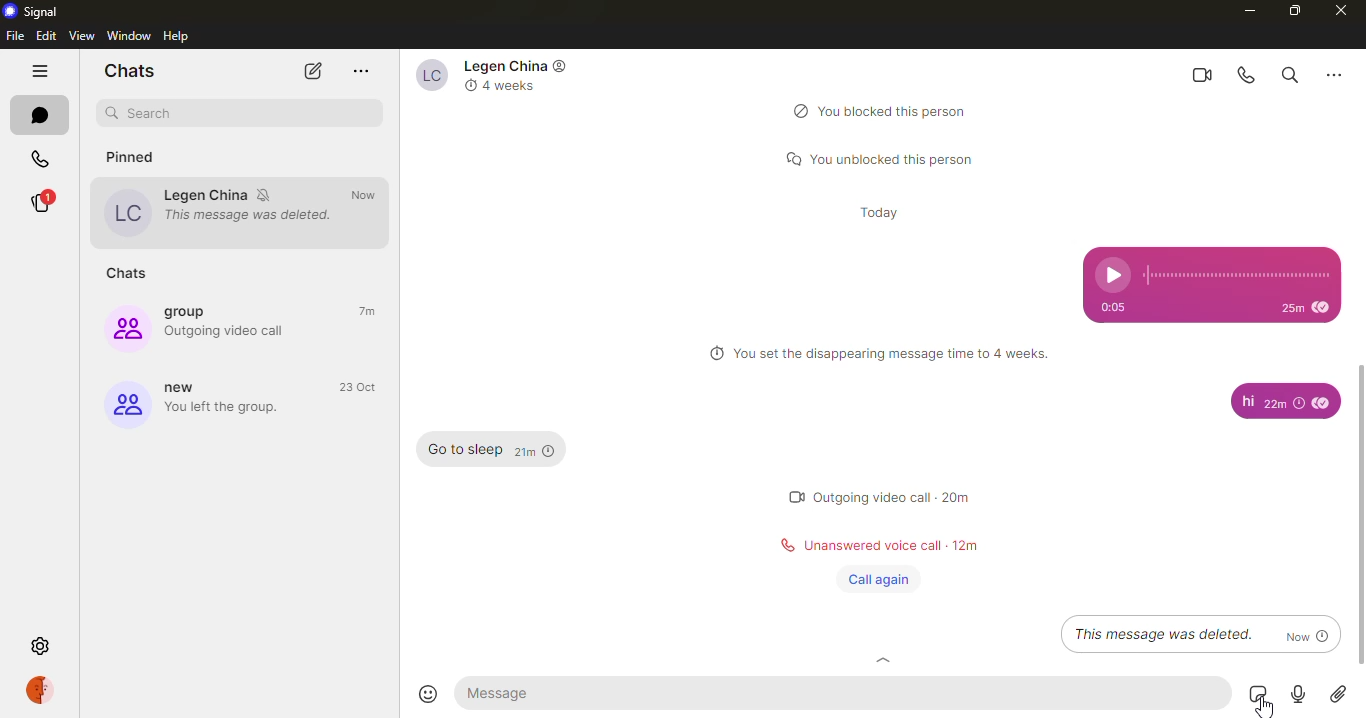 The height and width of the screenshot is (718, 1366). I want to click on group profile, so click(124, 328).